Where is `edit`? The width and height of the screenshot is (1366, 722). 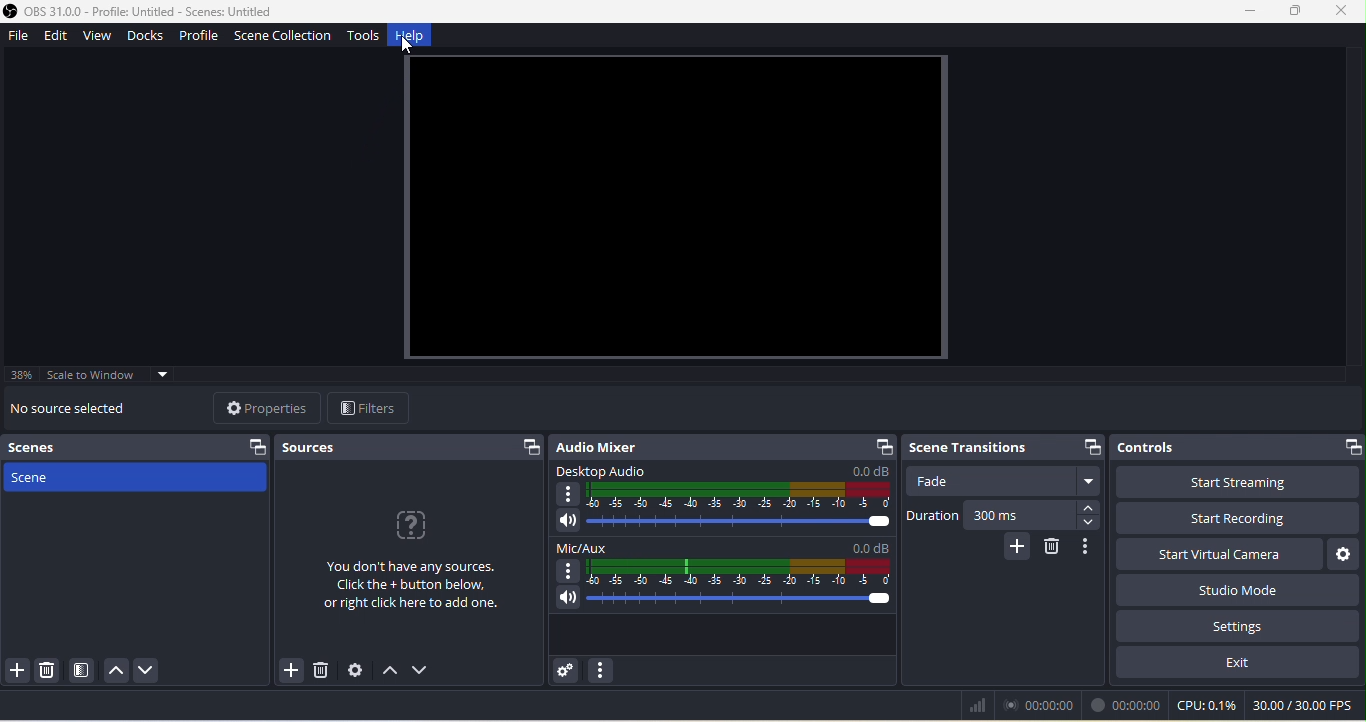 edit is located at coordinates (58, 39).